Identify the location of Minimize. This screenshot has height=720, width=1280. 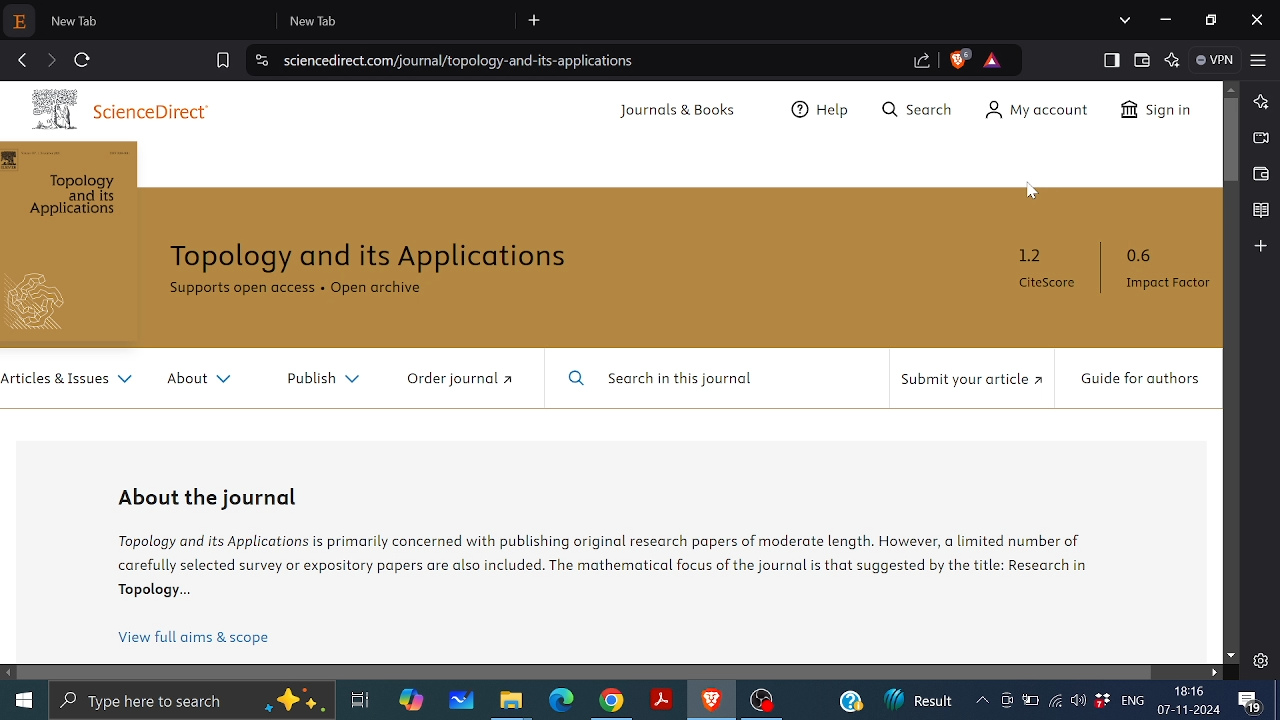
(1167, 20).